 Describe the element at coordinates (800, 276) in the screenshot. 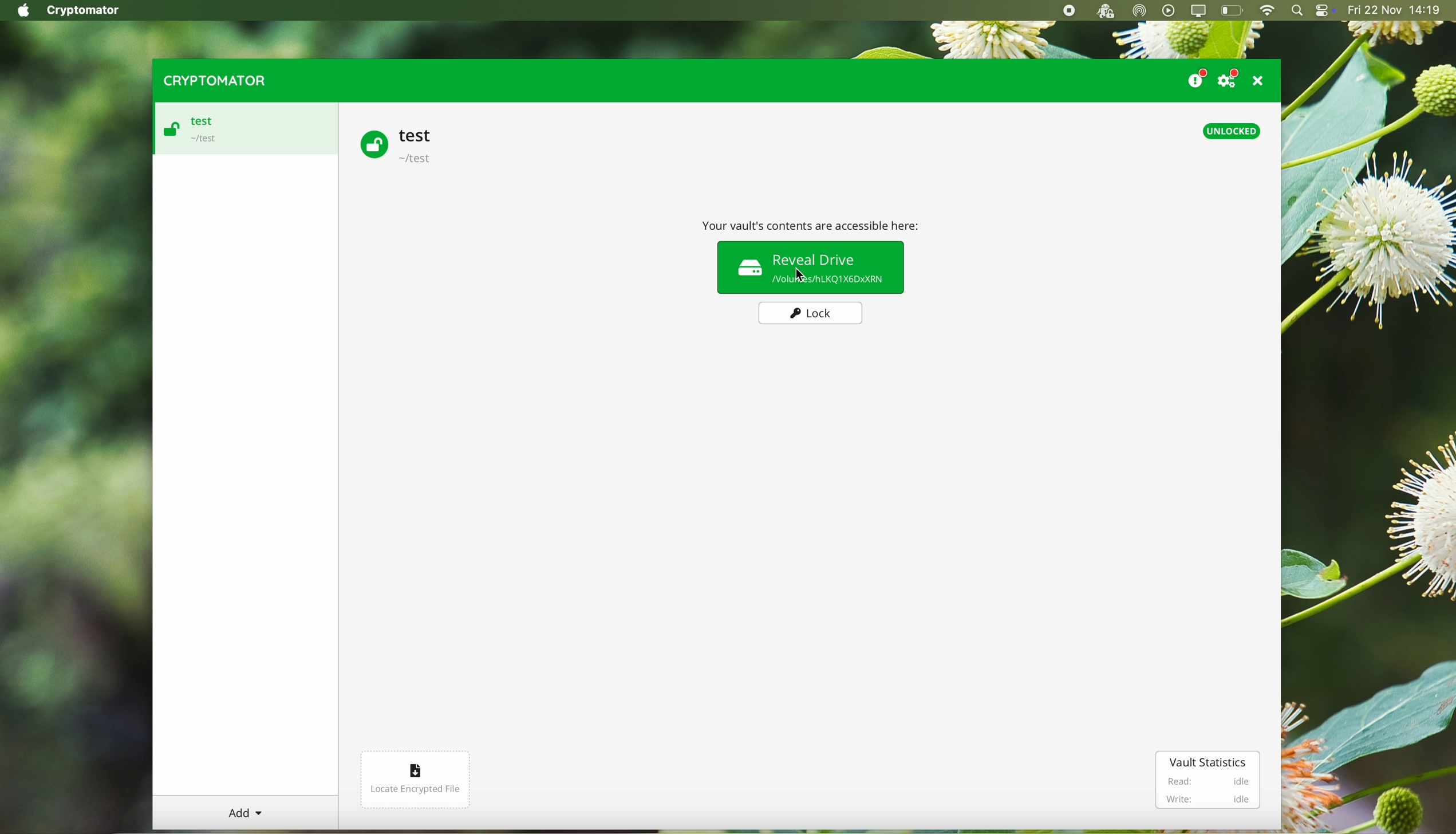

I see `Cursor` at that location.